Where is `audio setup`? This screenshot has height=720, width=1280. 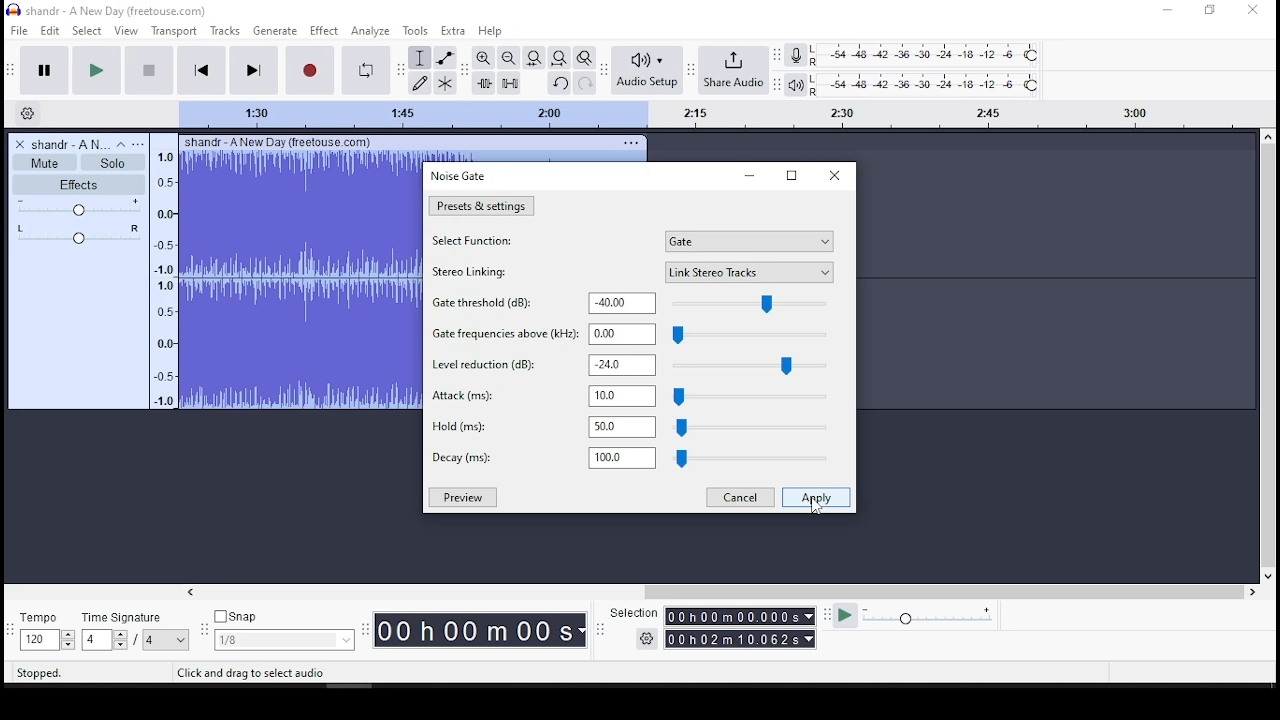 audio setup is located at coordinates (647, 71).